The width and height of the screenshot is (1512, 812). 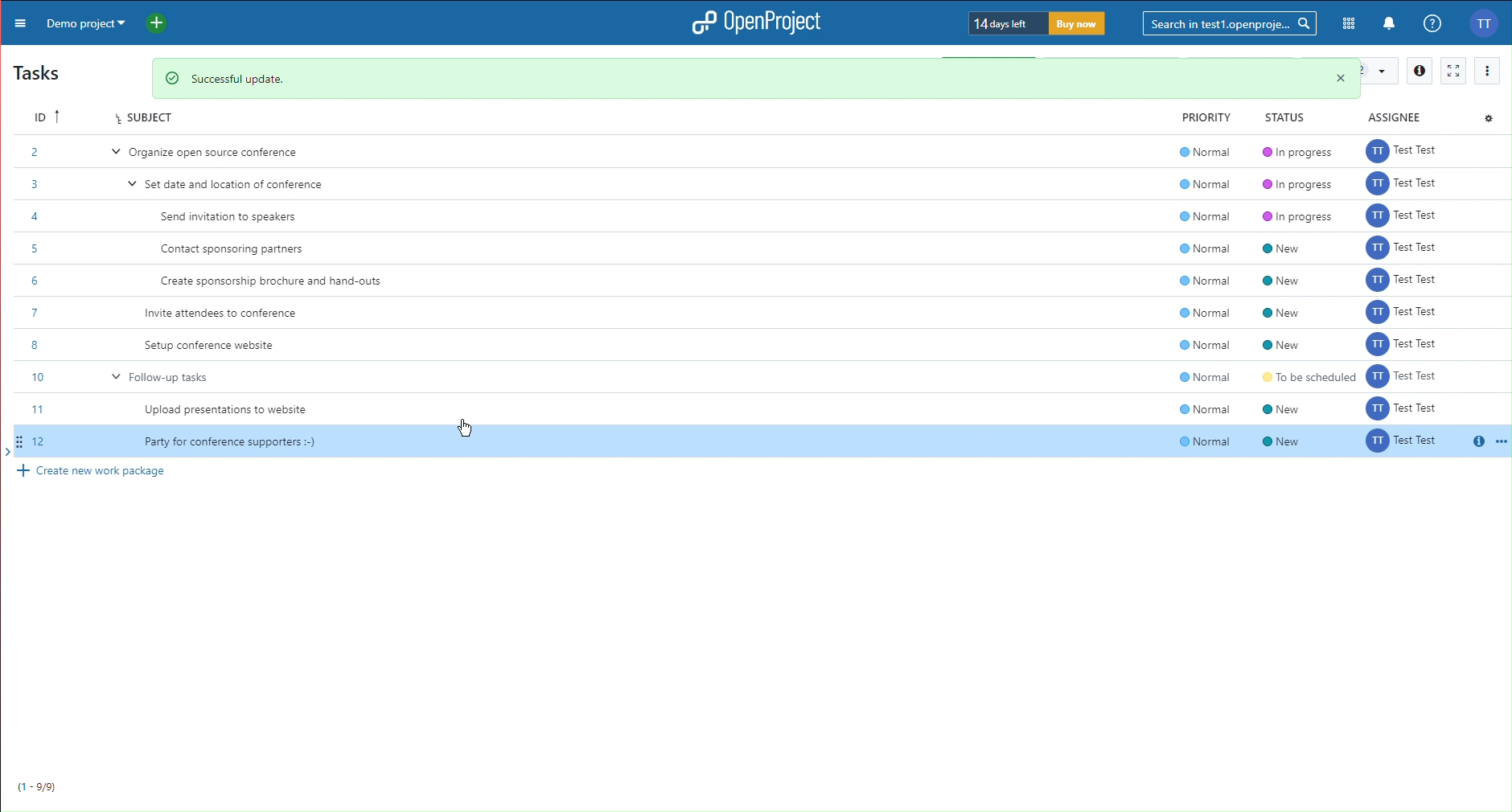 I want to click on ID, so click(x=38, y=115).